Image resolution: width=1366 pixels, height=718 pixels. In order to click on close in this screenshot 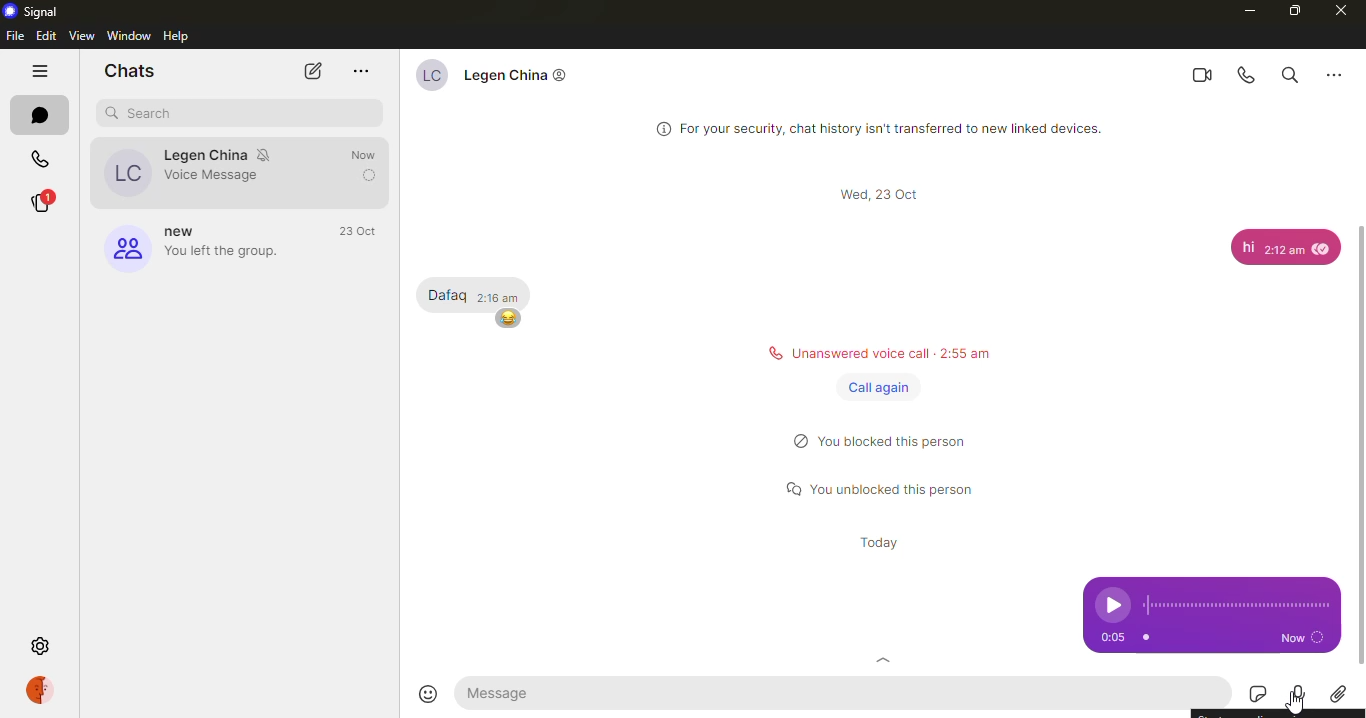, I will do `click(1346, 13)`.